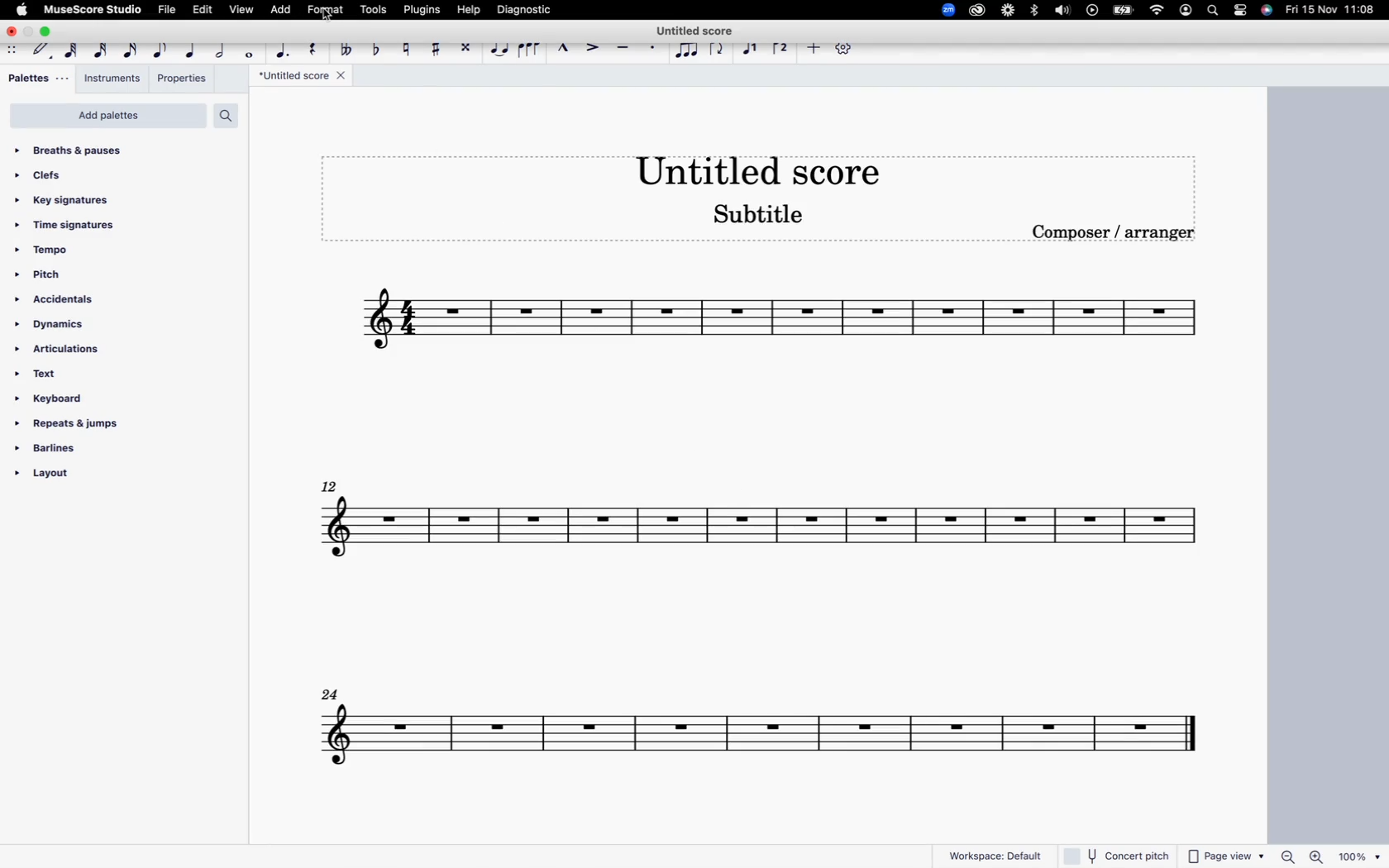  Describe the element at coordinates (977, 12) in the screenshot. I see `creative cloud` at that location.